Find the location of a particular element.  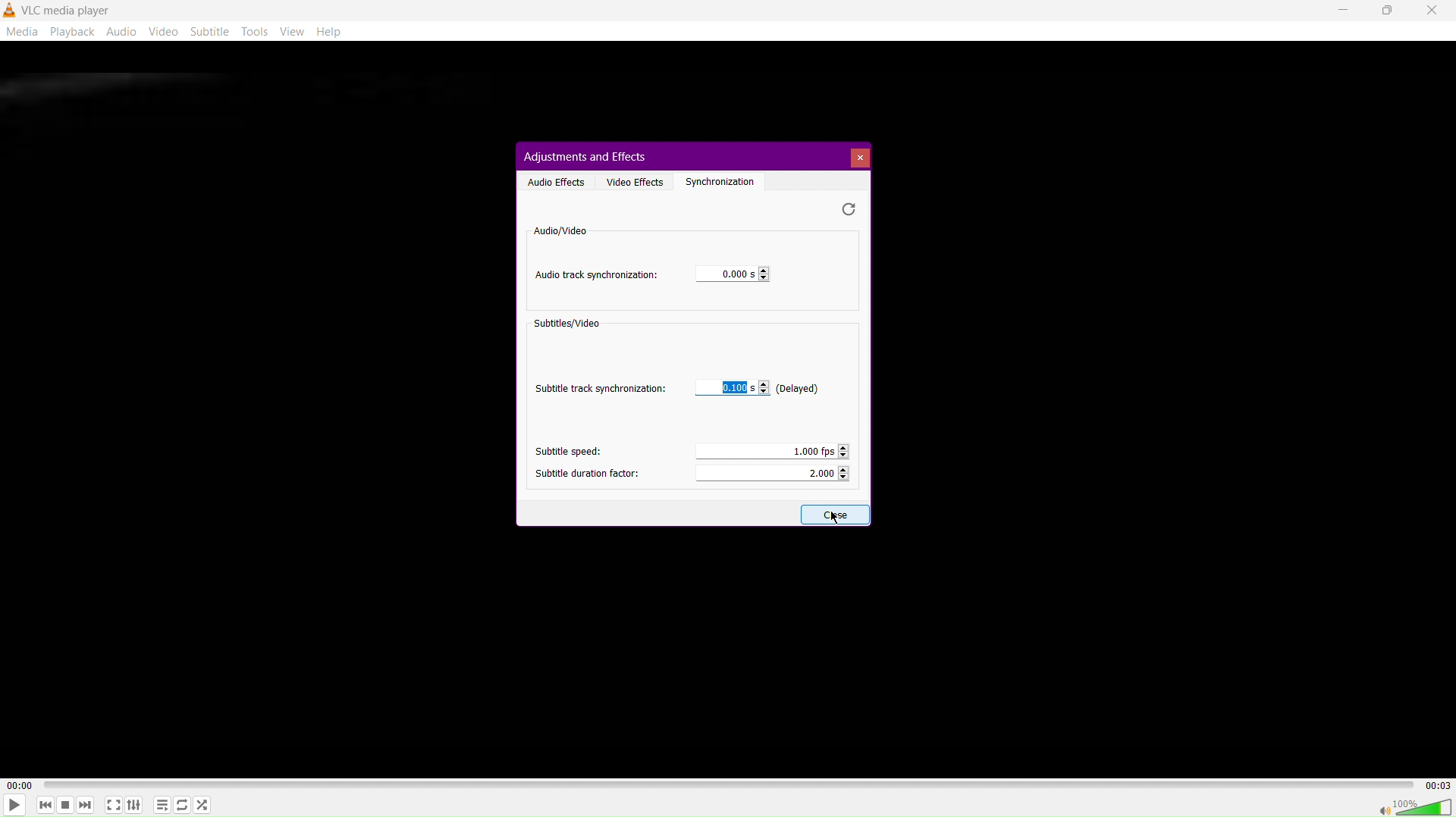

Skip forward is located at coordinates (86, 804).